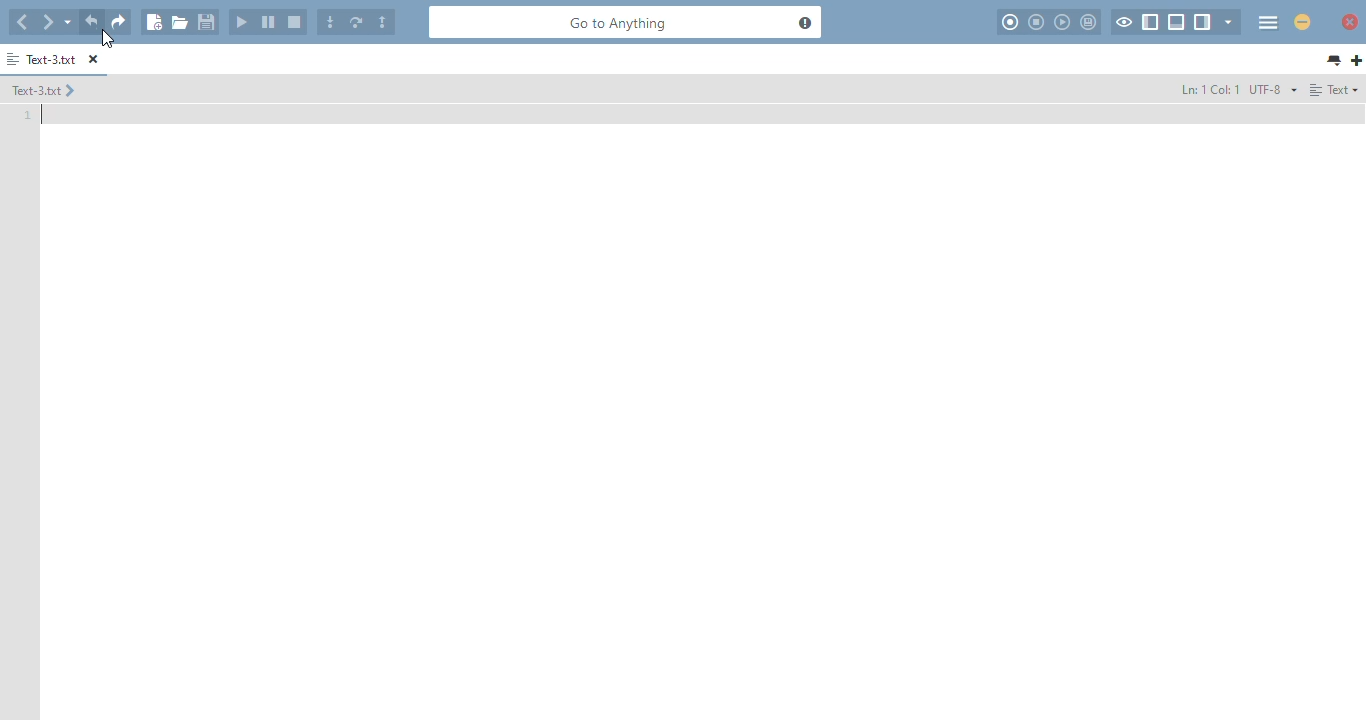 The height and width of the screenshot is (720, 1366). I want to click on cursor, so click(108, 40).